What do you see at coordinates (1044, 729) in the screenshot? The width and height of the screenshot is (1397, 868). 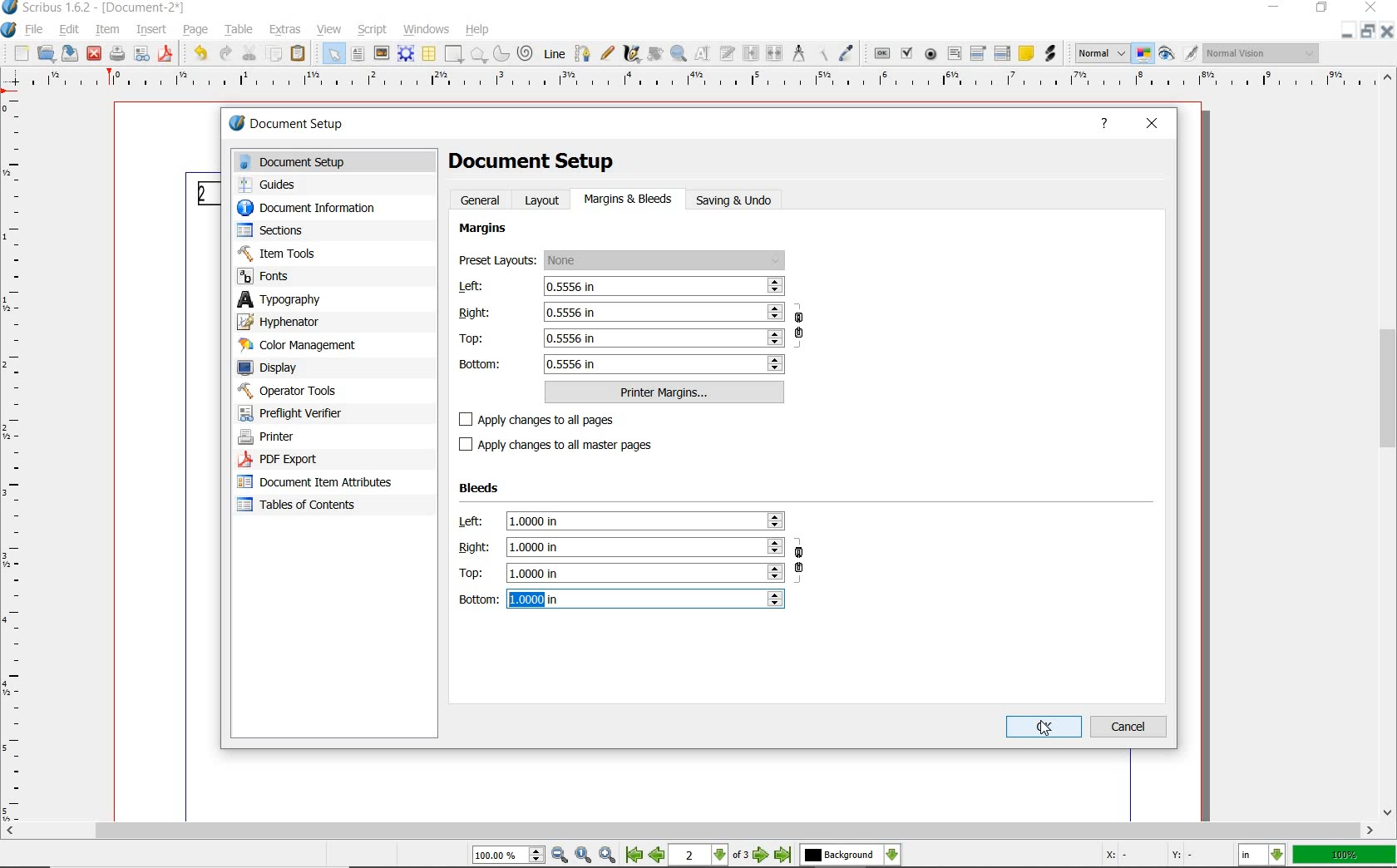 I see `Cursor Position` at bounding box center [1044, 729].